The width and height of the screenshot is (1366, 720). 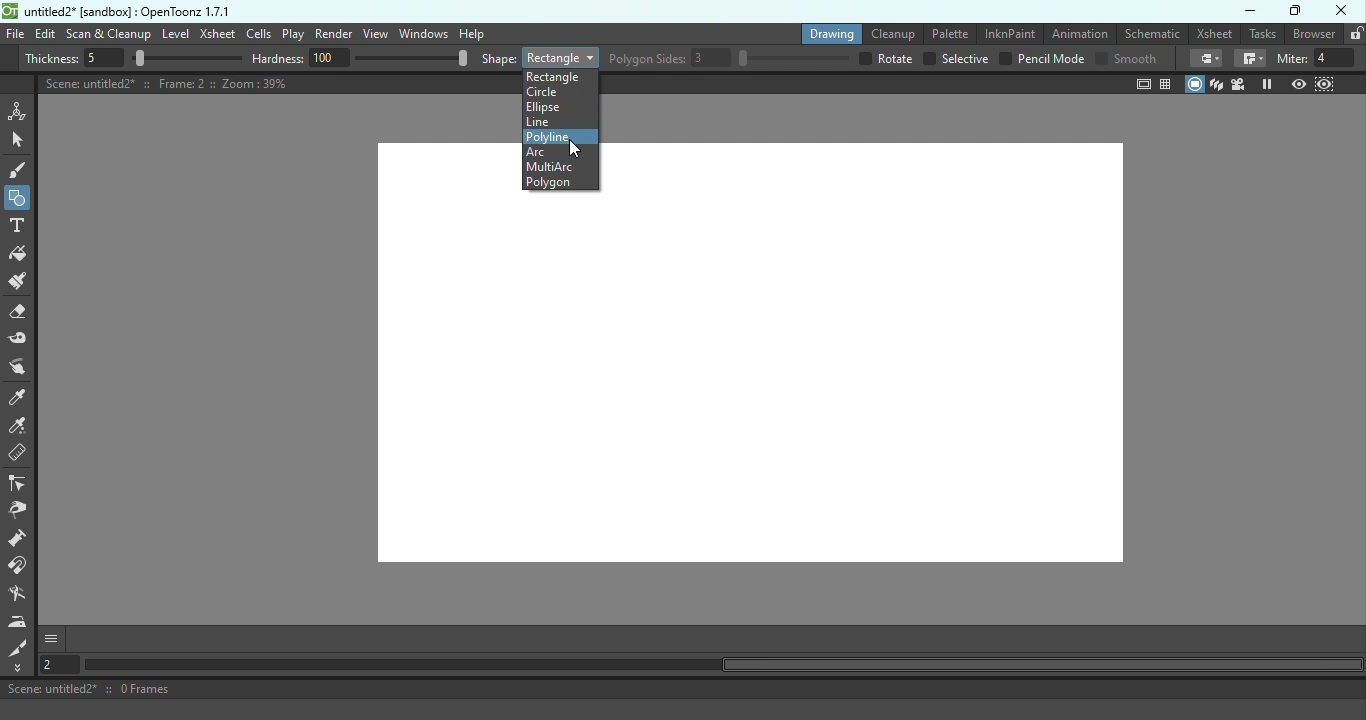 What do you see at coordinates (22, 340) in the screenshot?
I see `Tape tool` at bounding box center [22, 340].